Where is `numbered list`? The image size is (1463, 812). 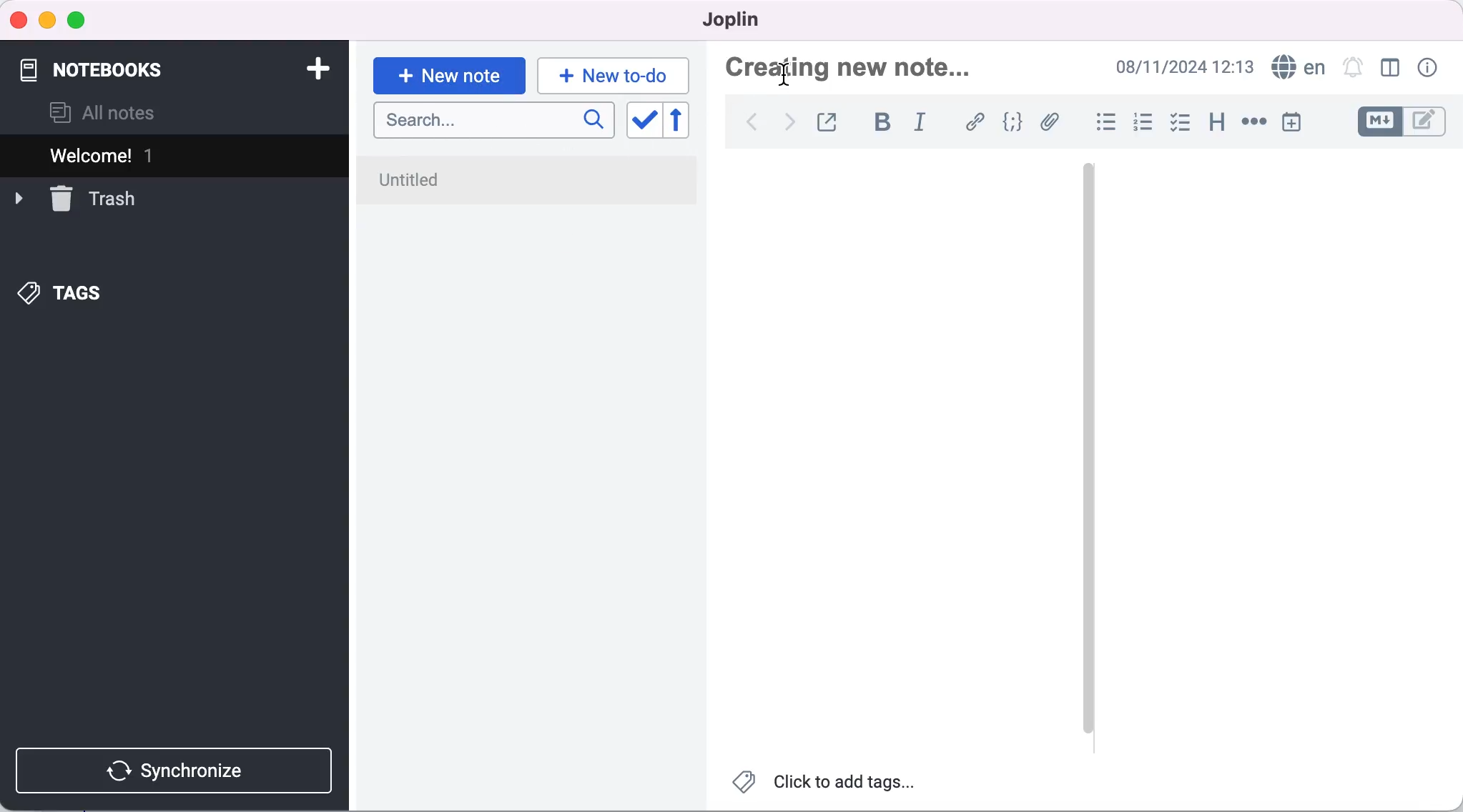 numbered list is located at coordinates (1145, 124).